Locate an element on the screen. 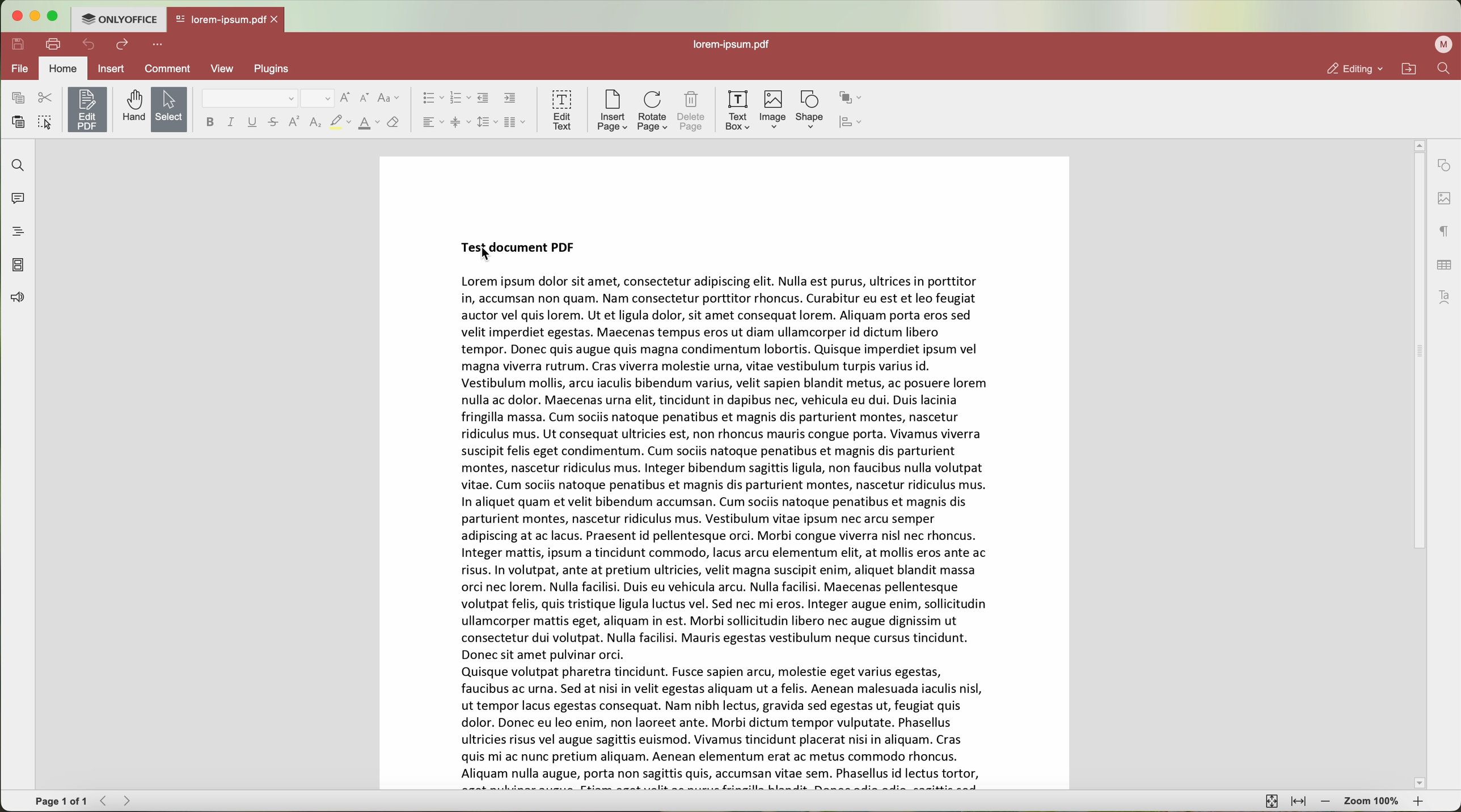 This screenshot has height=812, width=1461. highlight color is located at coordinates (340, 123).